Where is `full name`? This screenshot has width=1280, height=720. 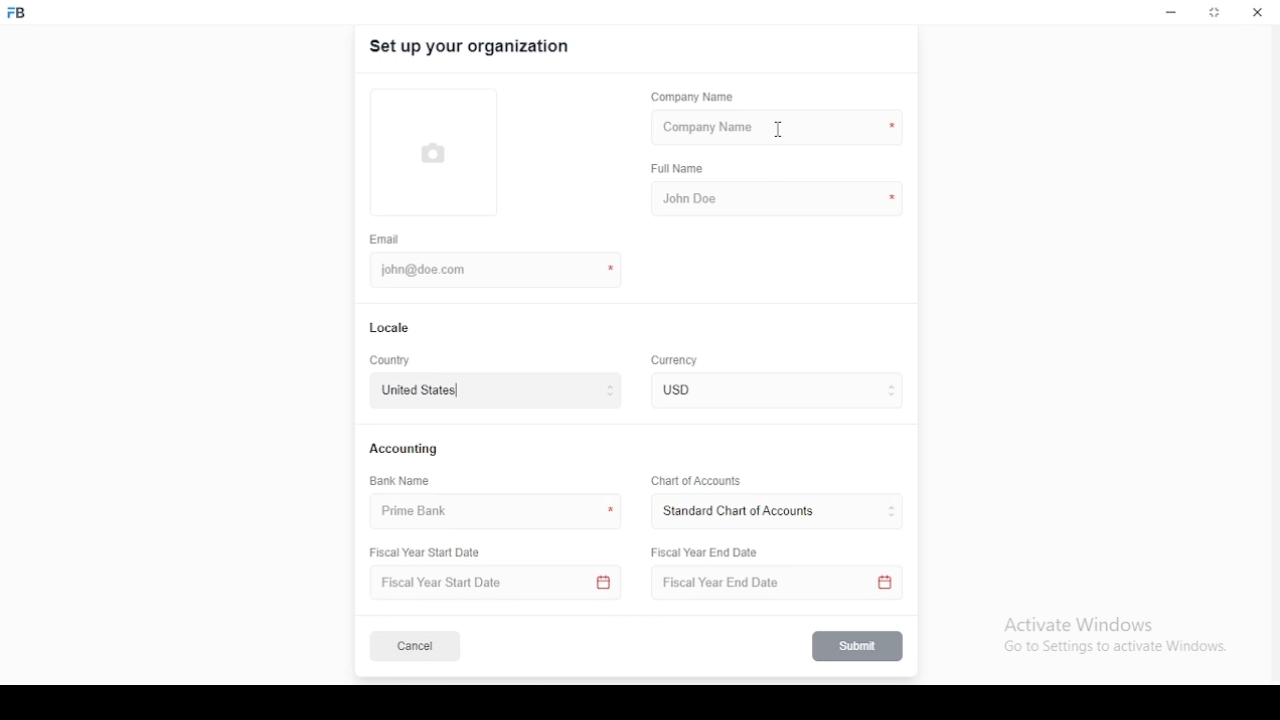 full name is located at coordinates (683, 169).